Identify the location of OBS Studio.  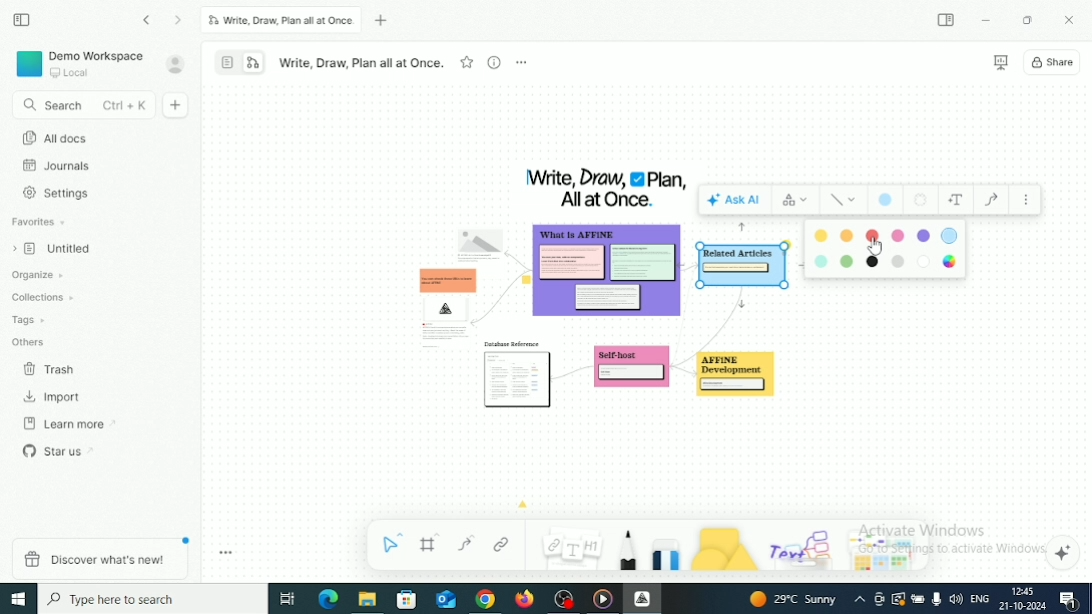
(566, 599).